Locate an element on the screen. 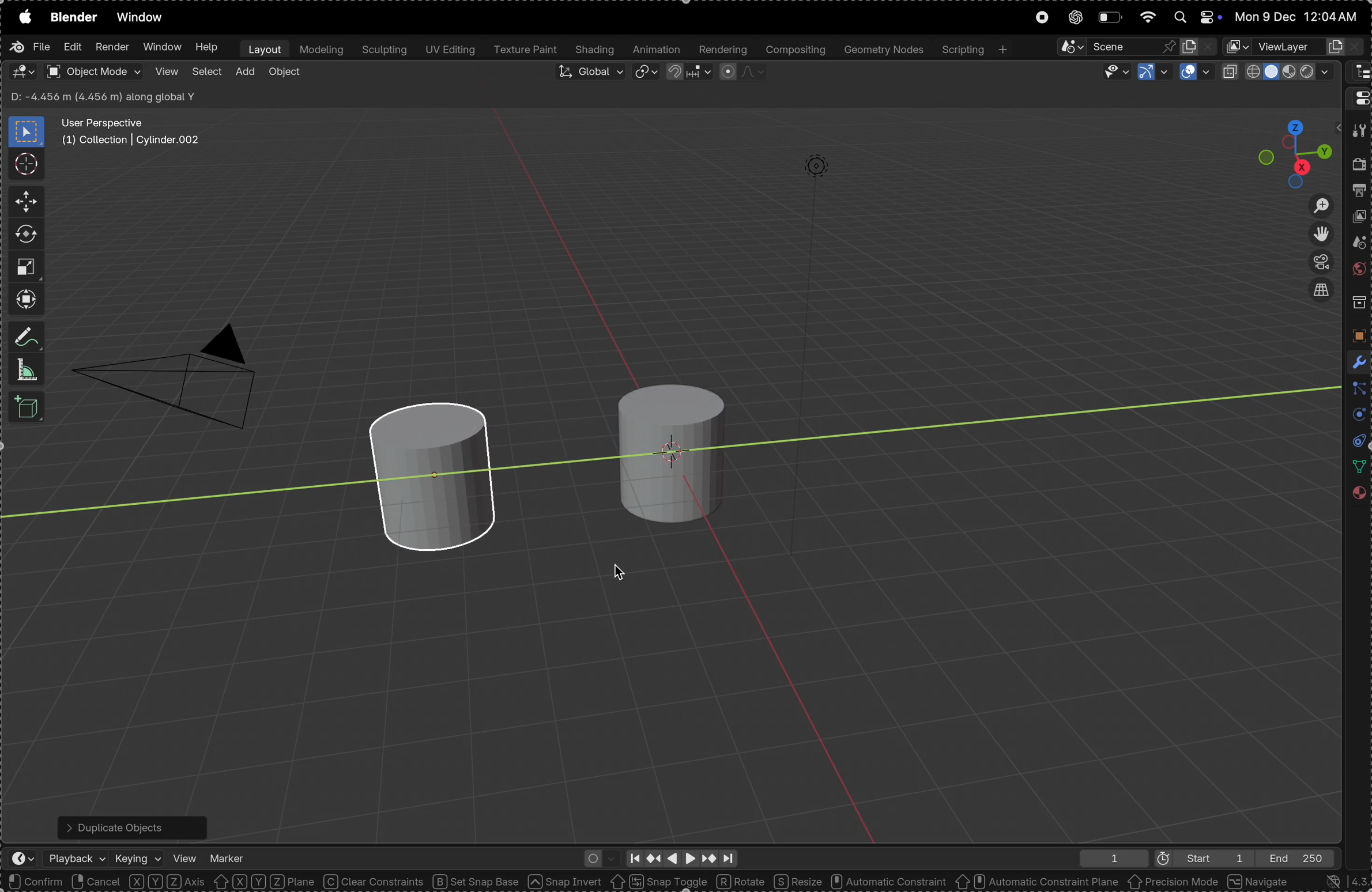 This screenshot has width=1372, height=892. snap invert is located at coordinates (566, 882).